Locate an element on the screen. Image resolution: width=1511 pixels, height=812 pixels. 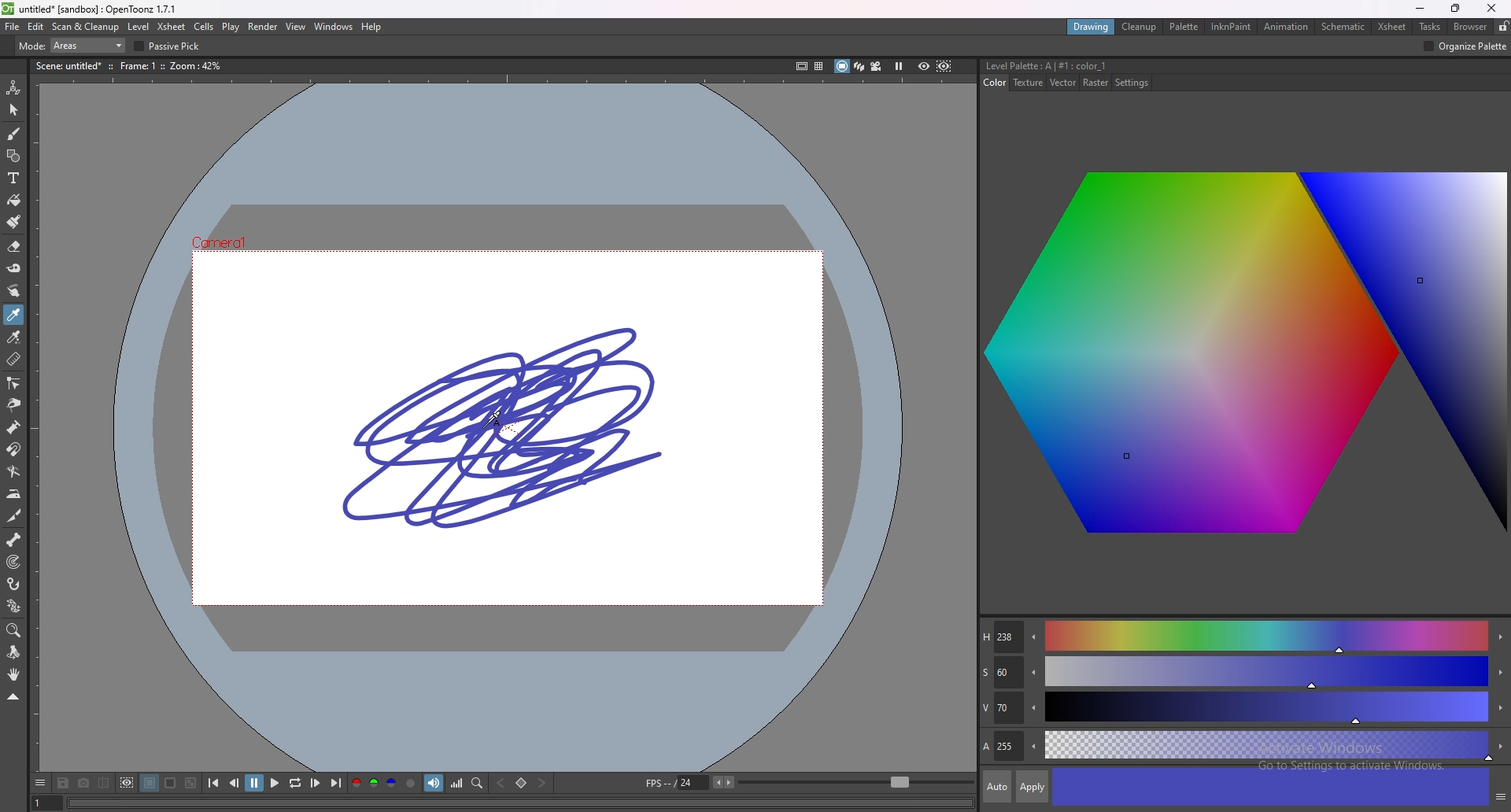
rotate tool is located at coordinates (13, 653).